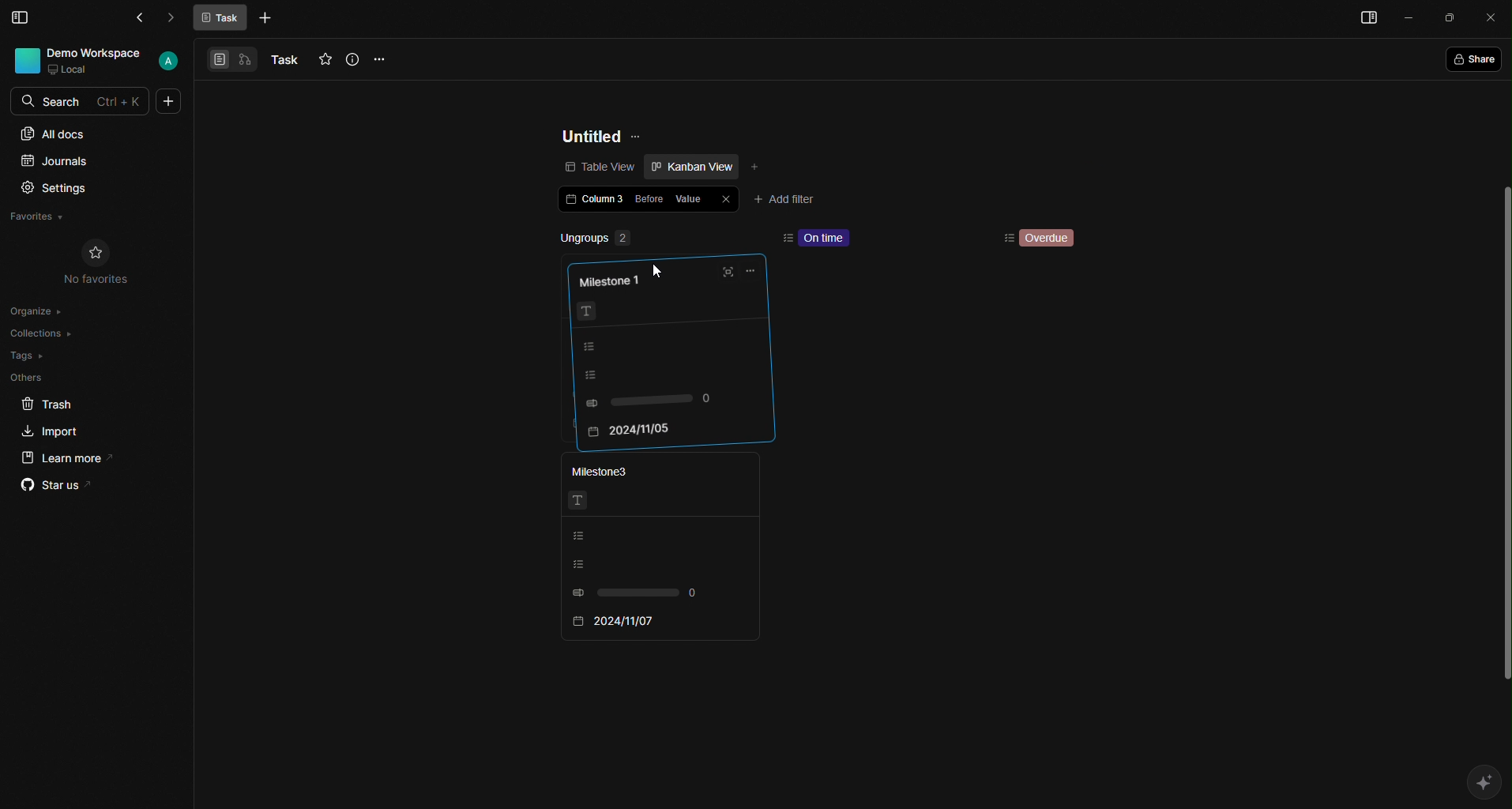 The image size is (1512, 809). Describe the element at coordinates (1050, 239) in the screenshot. I see `Overdue` at that location.